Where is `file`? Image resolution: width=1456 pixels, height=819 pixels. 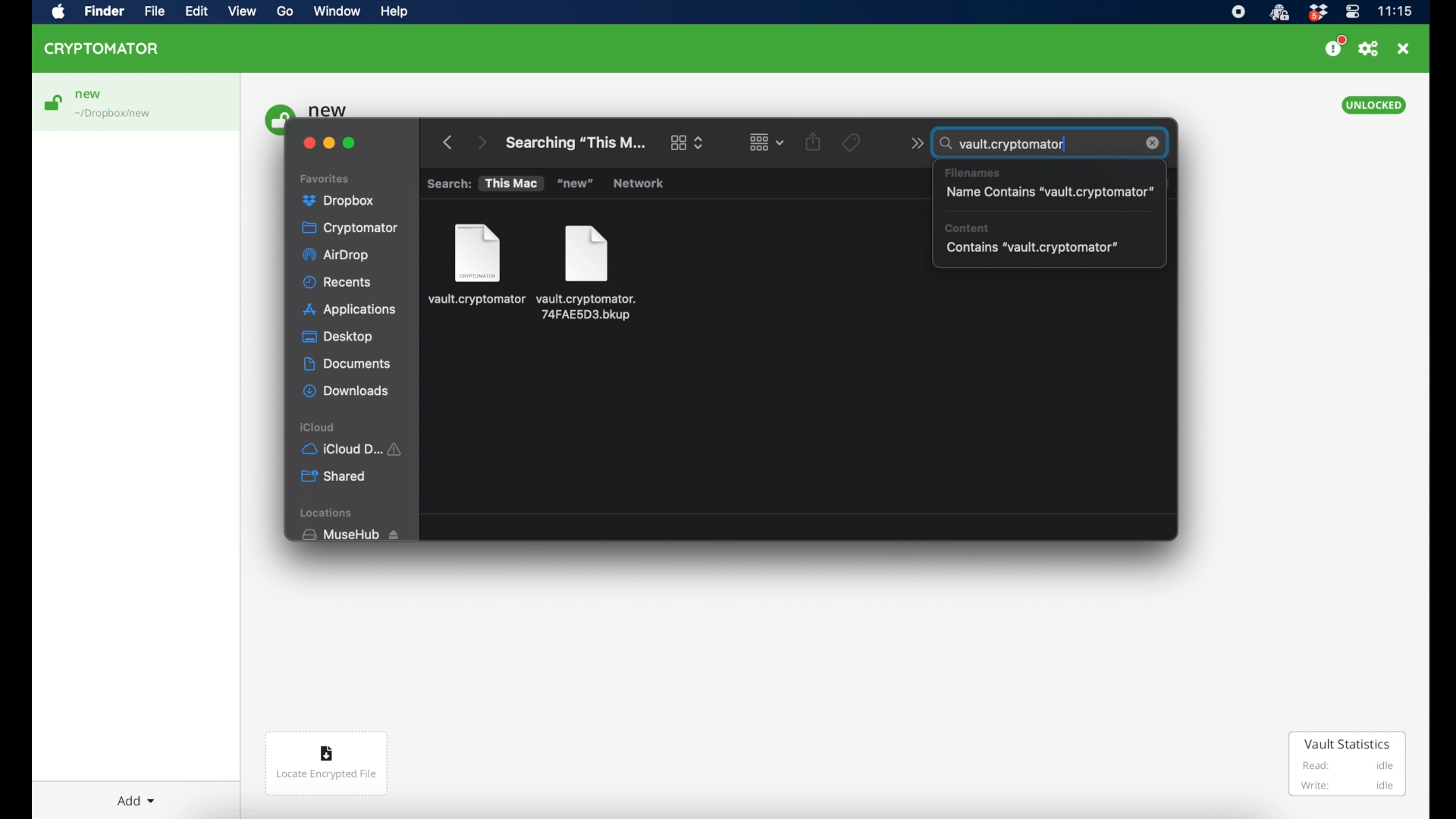
file is located at coordinates (475, 265).